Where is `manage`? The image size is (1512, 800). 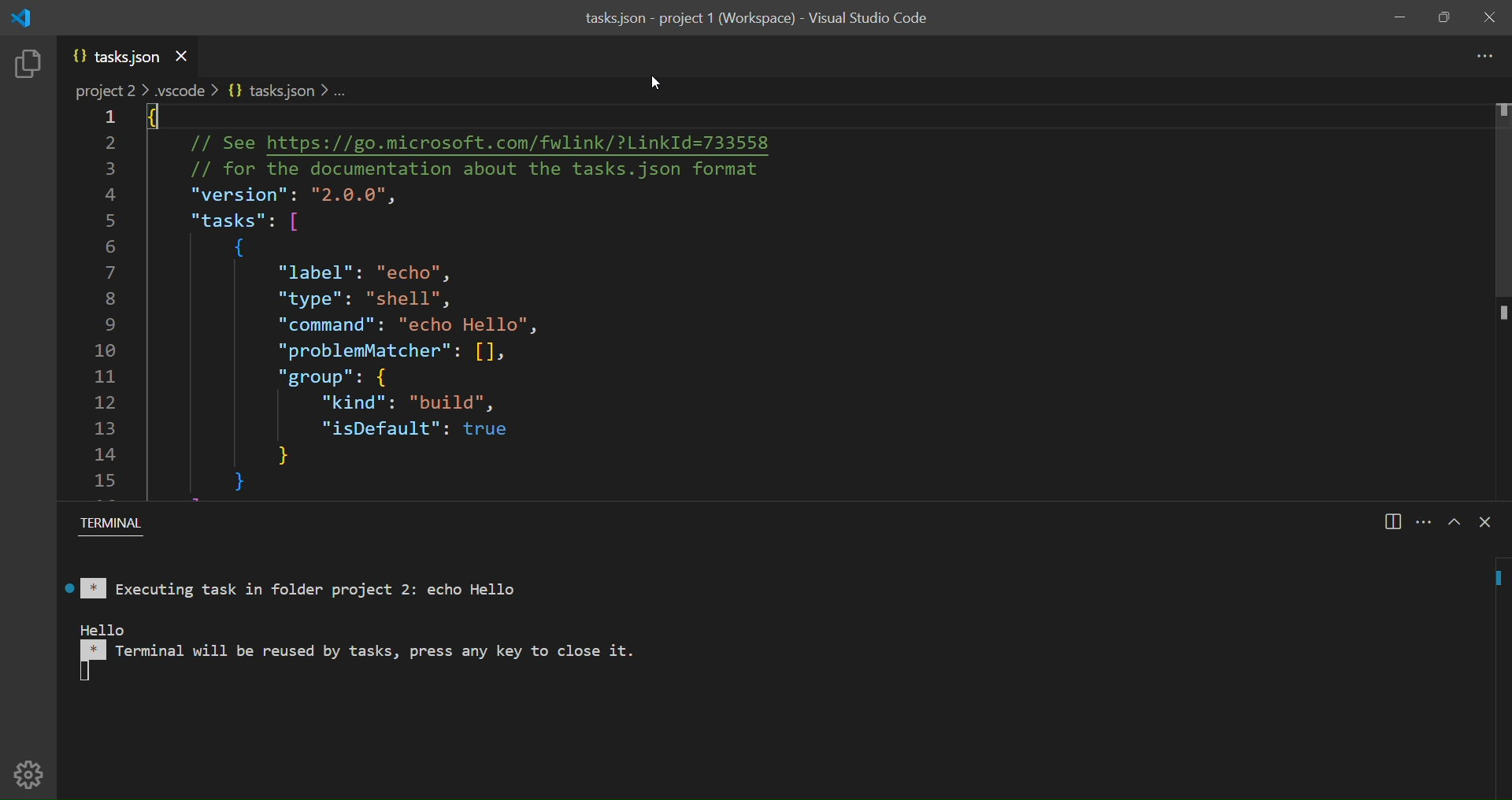 manage is located at coordinates (27, 772).